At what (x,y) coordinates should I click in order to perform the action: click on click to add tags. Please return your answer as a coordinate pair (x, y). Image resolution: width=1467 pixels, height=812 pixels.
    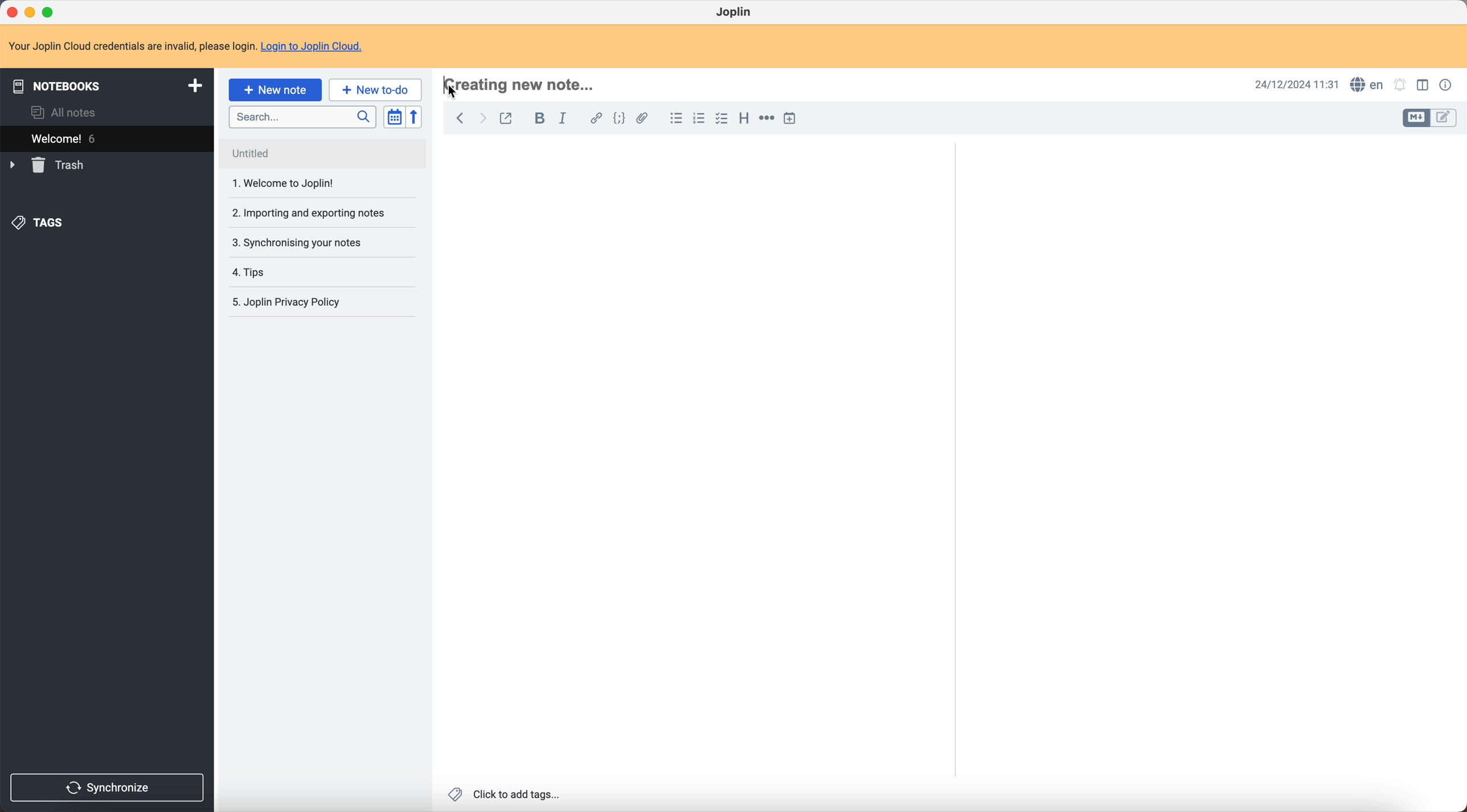
    Looking at the image, I should click on (503, 794).